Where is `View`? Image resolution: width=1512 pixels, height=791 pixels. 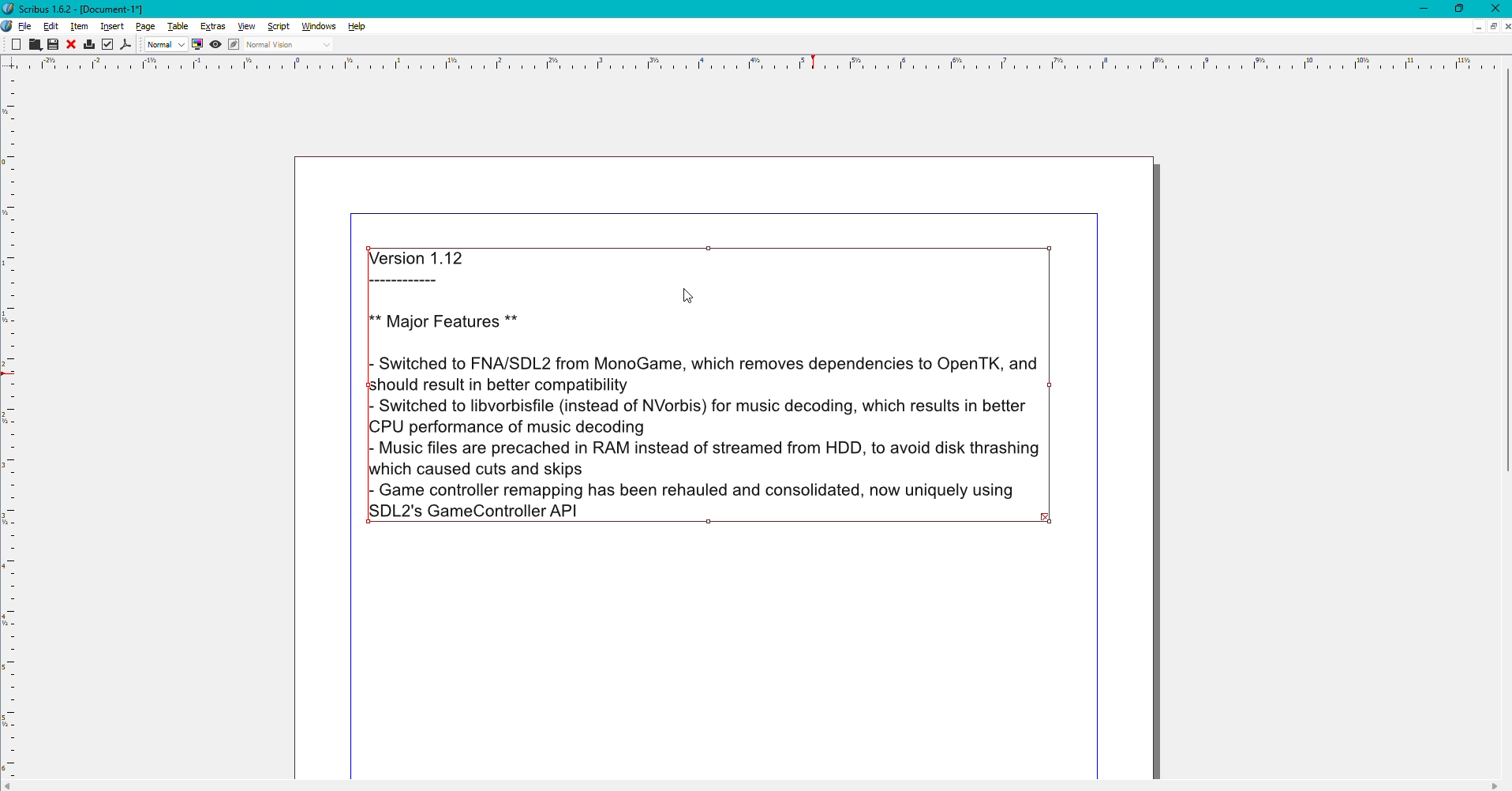 View is located at coordinates (214, 47).